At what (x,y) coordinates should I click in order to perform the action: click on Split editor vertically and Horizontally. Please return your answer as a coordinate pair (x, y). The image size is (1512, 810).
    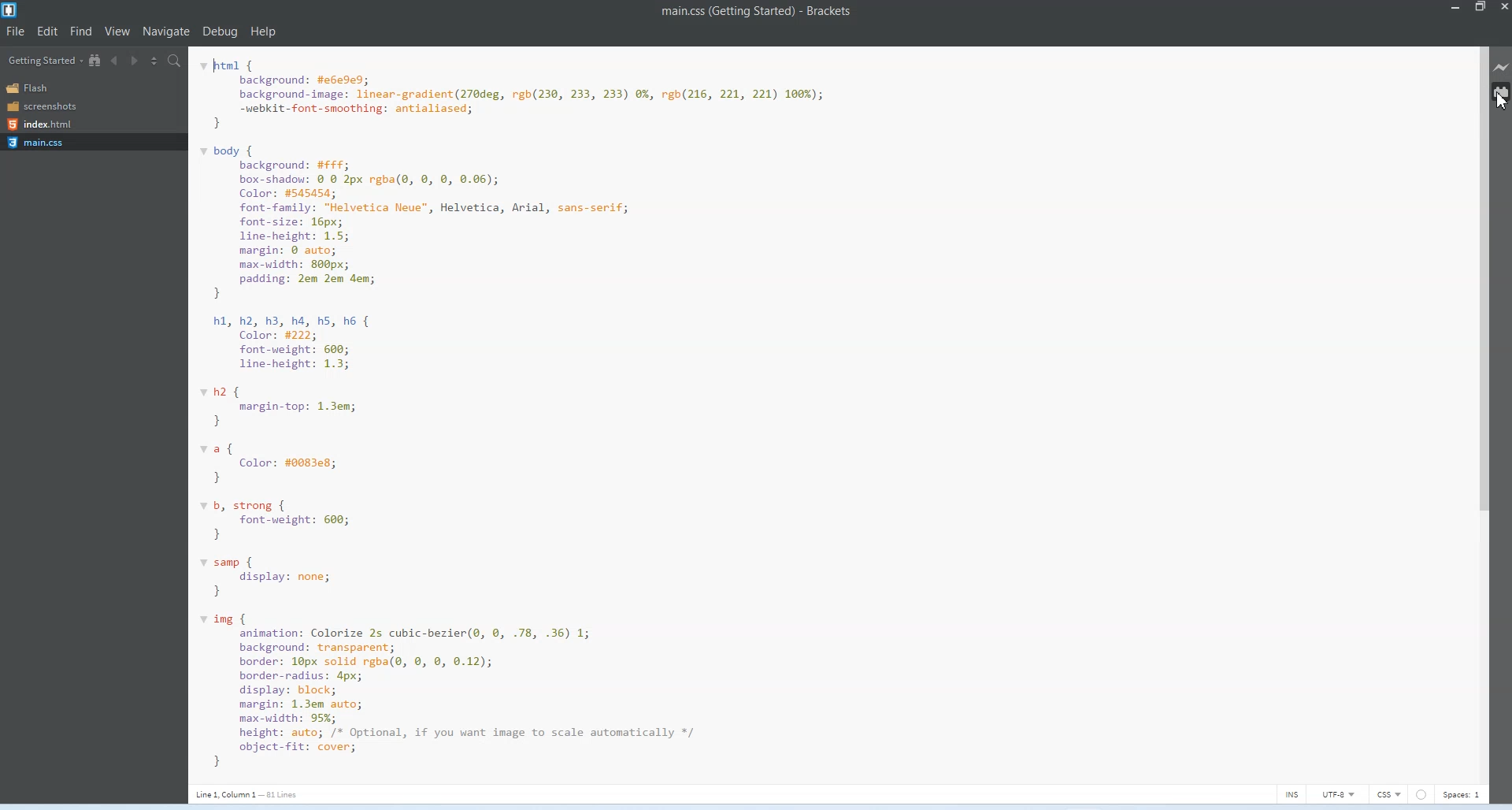
    Looking at the image, I should click on (154, 60).